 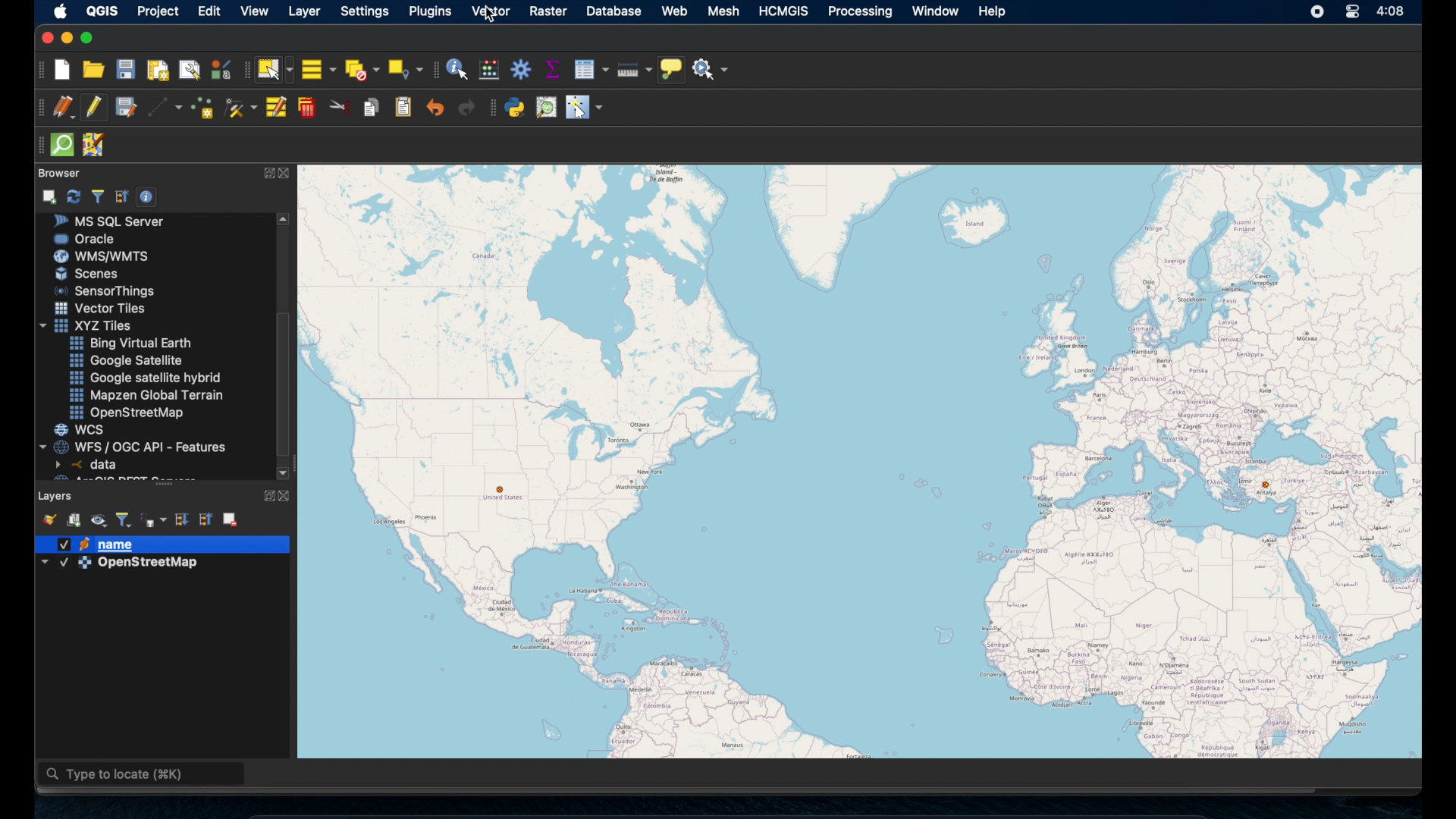 I want to click on digitize with segment, so click(x=165, y=108).